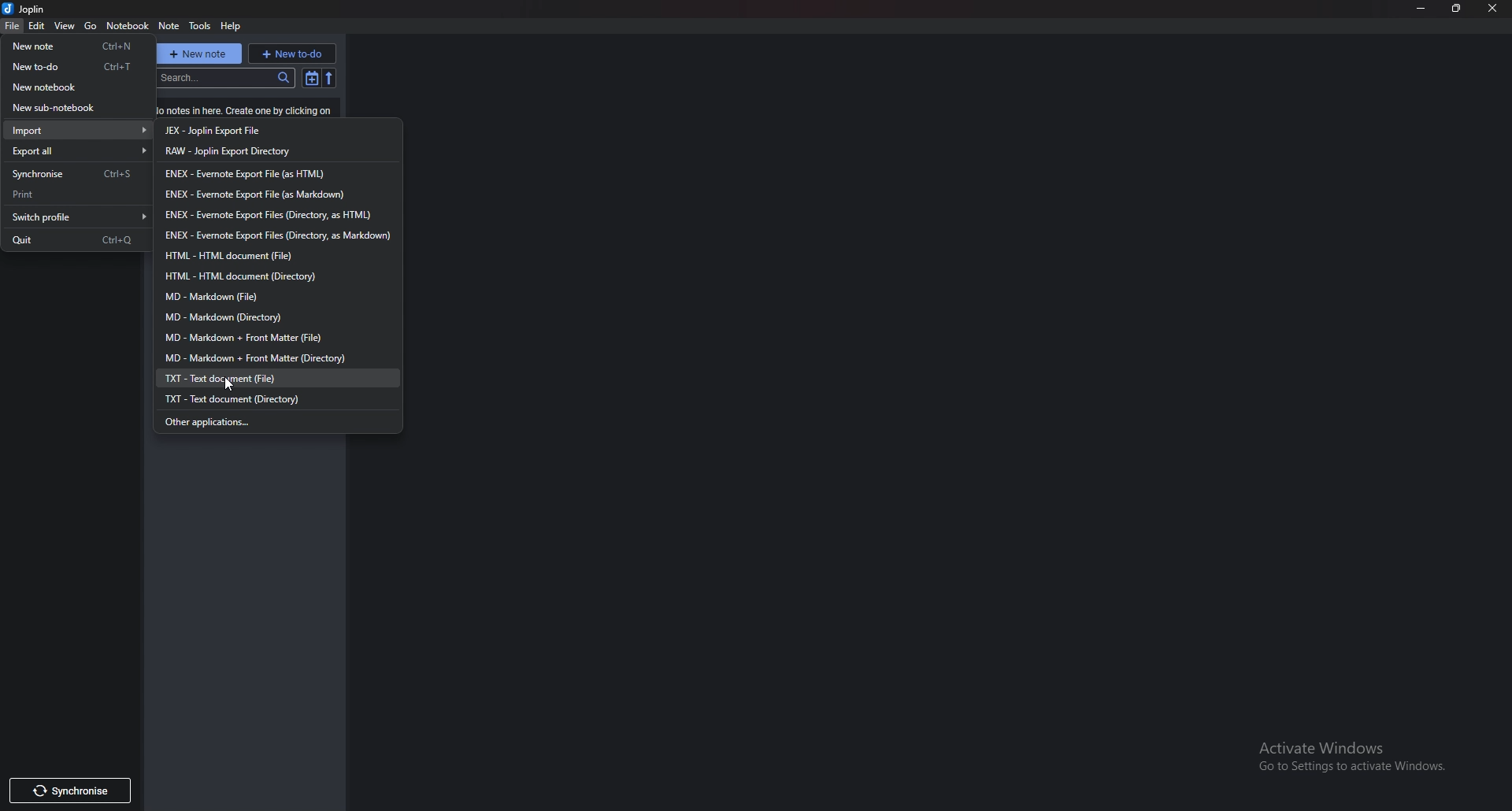 Image resolution: width=1512 pixels, height=811 pixels. I want to click on txt file, so click(231, 376).